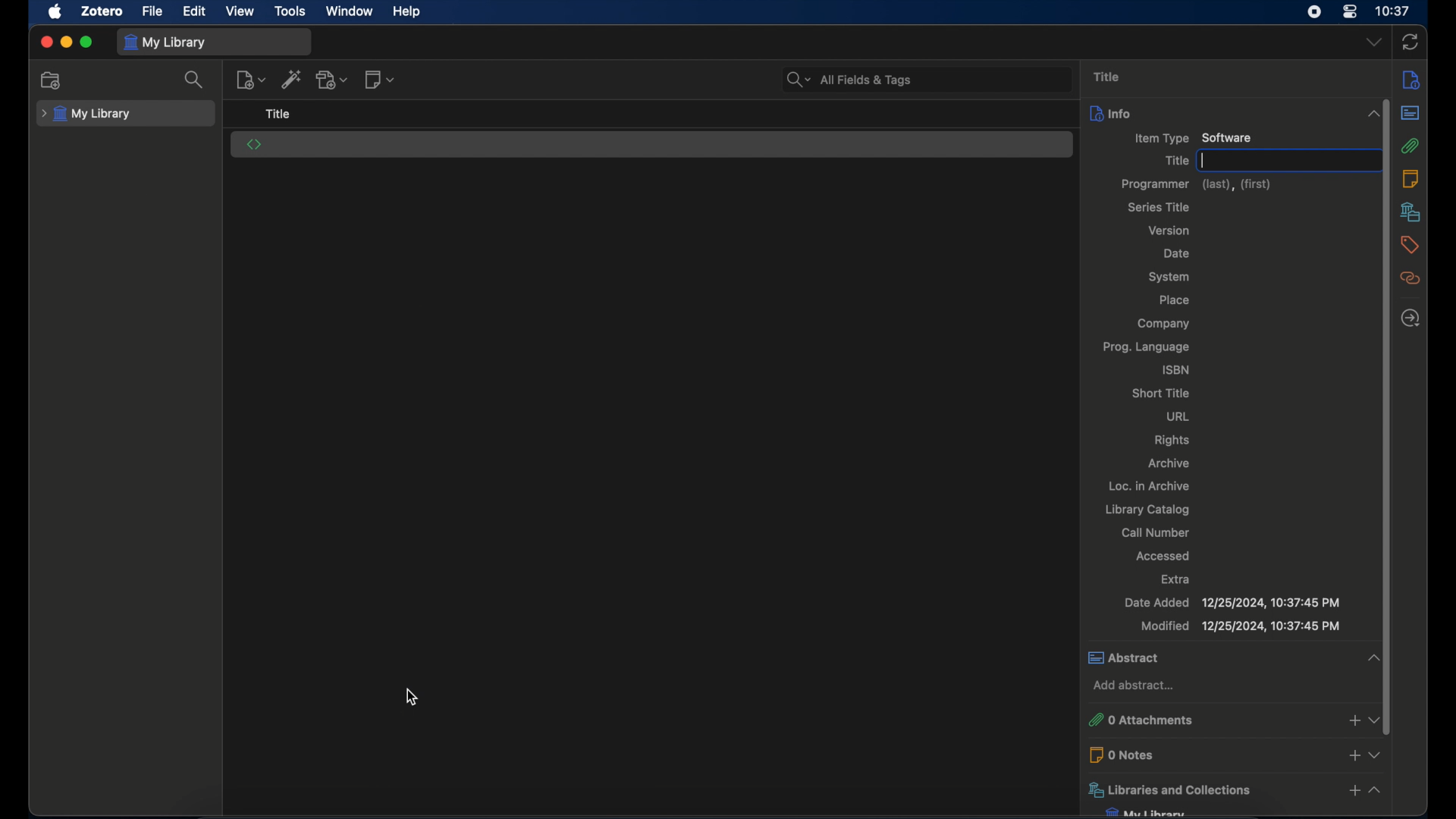 The height and width of the screenshot is (819, 1456). Describe the element at coordinates (1376, 720) in the screenshot. I see `dropdown` at that location.